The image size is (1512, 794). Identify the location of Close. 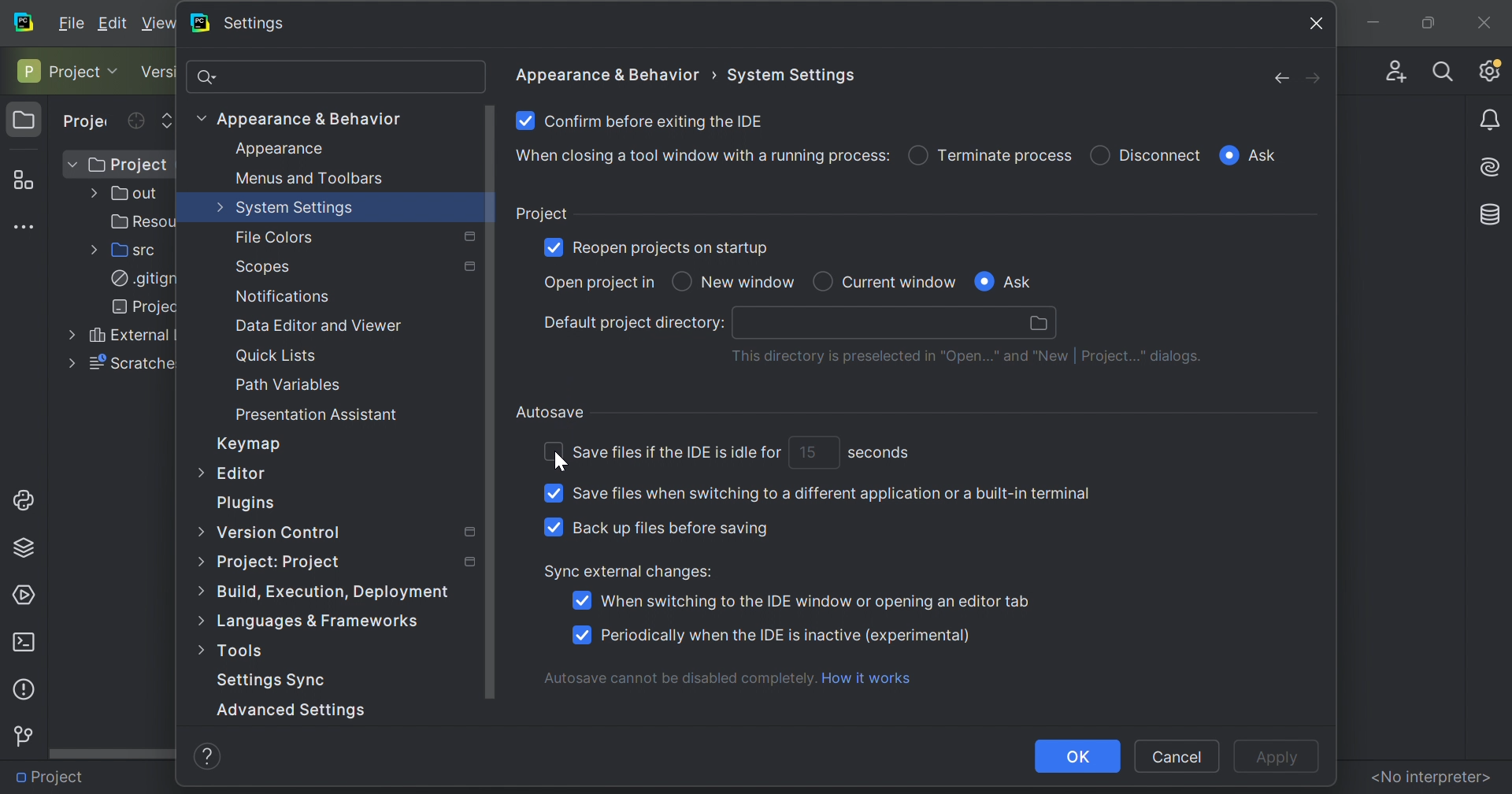
(1318, 22).